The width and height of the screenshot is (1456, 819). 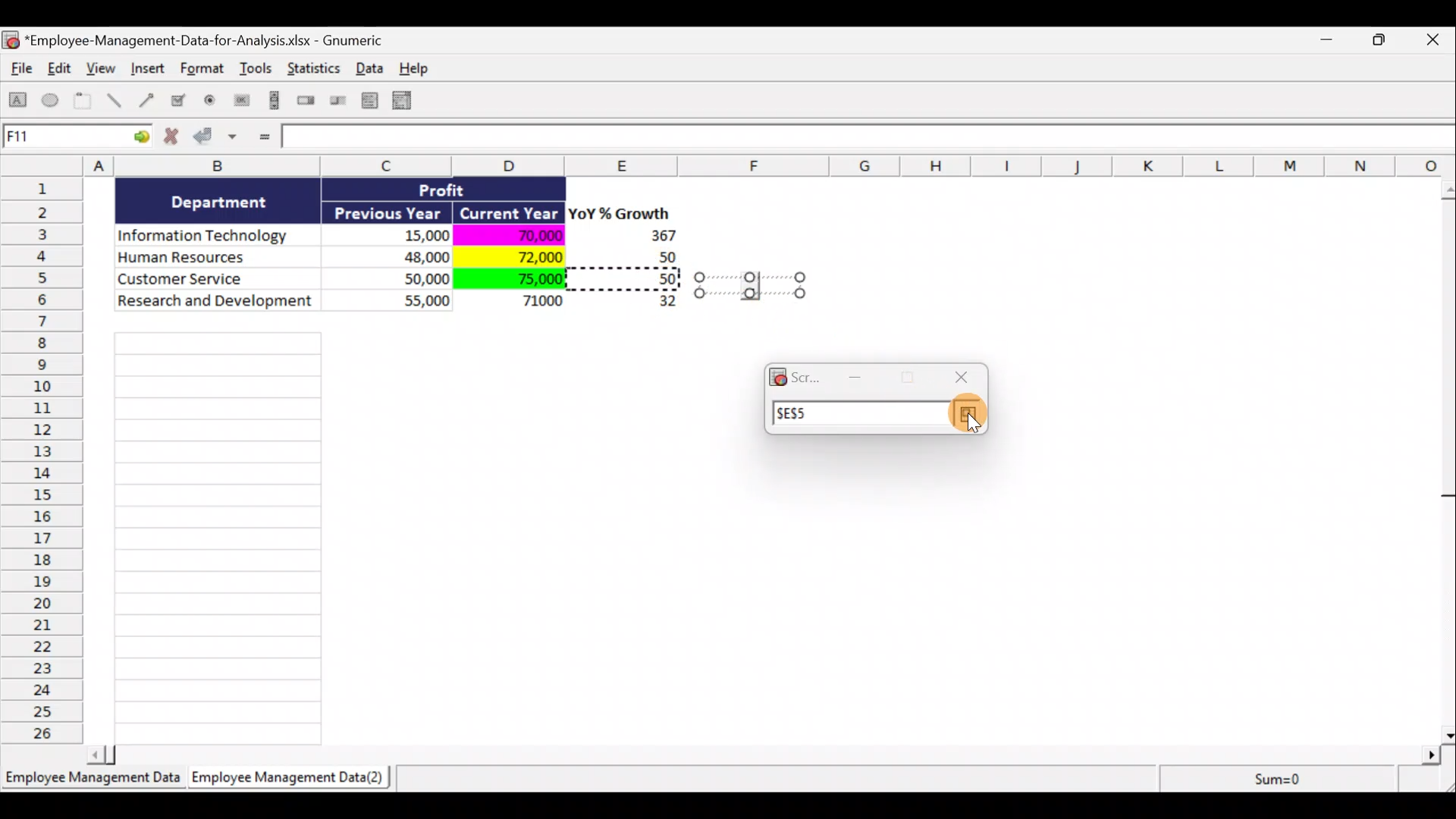 I want to click on Rows, so click(x=46, y=459).